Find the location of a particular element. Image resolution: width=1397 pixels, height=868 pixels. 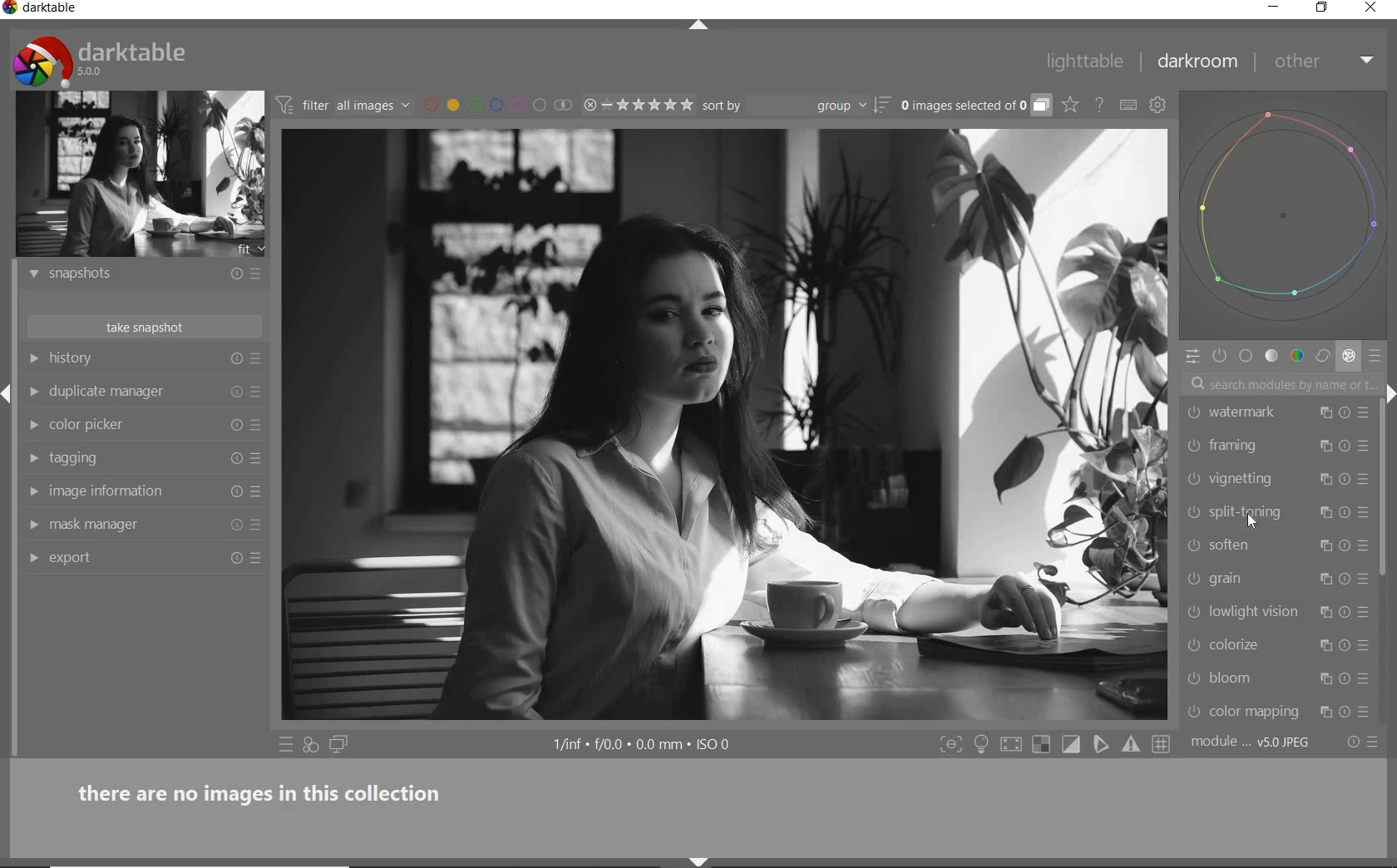

expand/collapse is located at coordinates (706, 26).